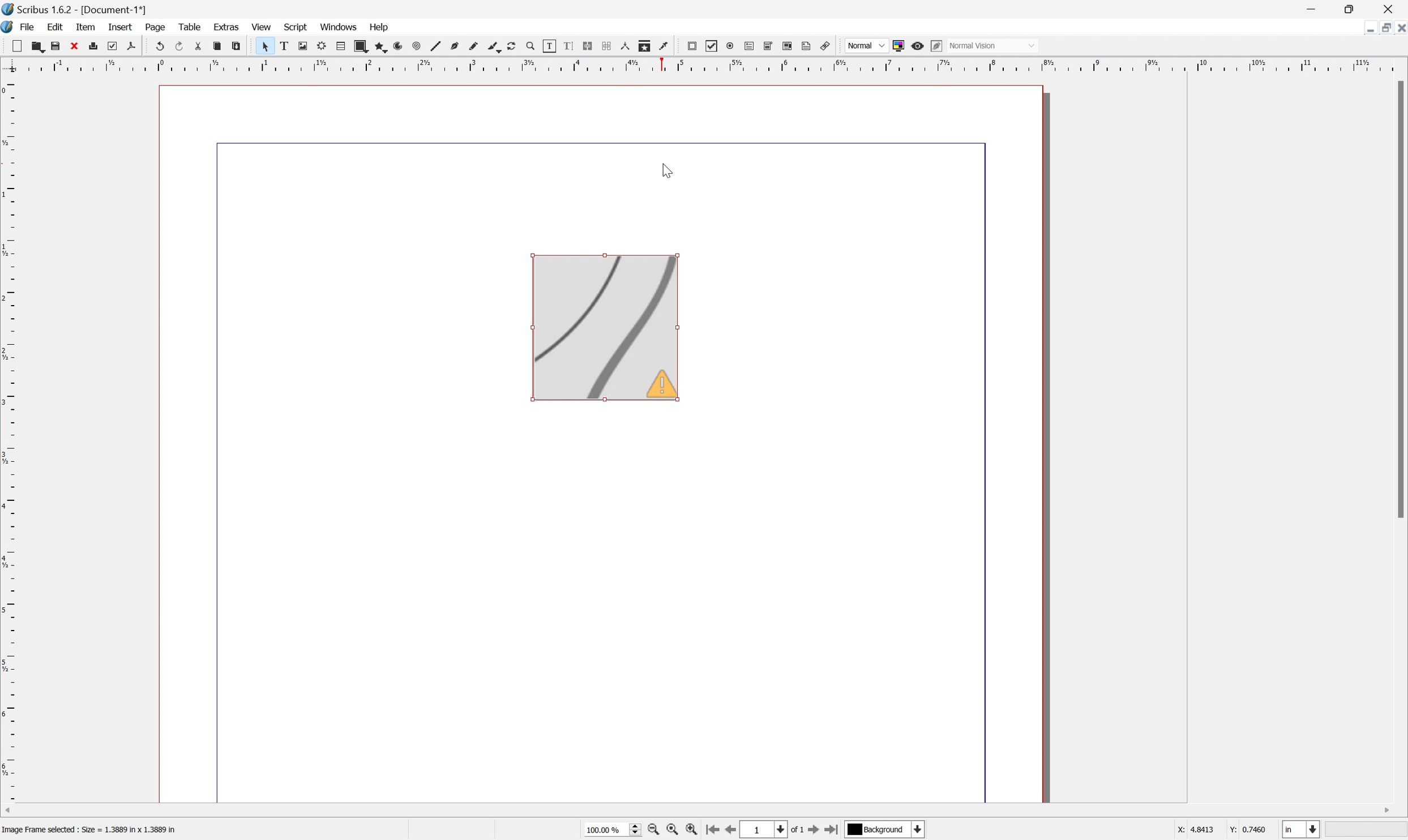 Image resolution: width=1408 pixels, height=840 pixels. What do you see at coordinates (97, 46) in the screenshot?
I see `Print` at bounding box center [97, 46].